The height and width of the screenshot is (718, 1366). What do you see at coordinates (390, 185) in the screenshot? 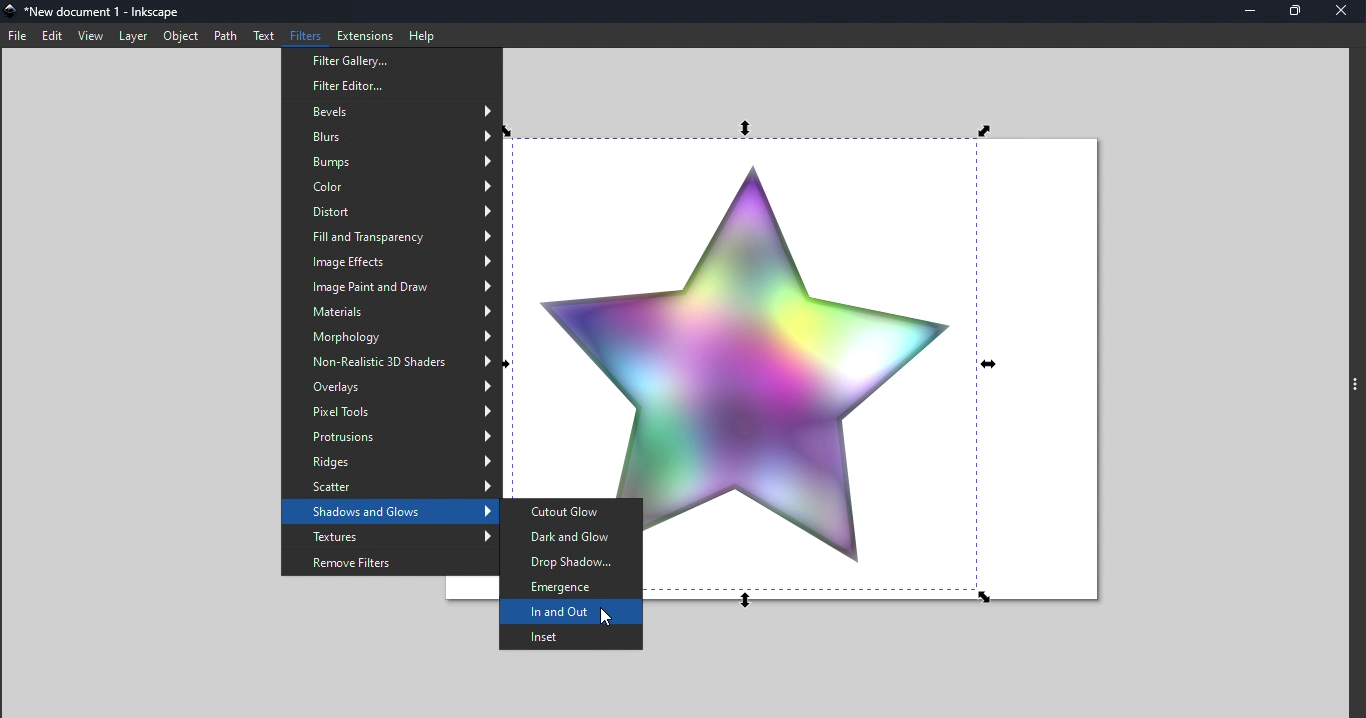
I see `Color ` at bounding box center [390, 185].